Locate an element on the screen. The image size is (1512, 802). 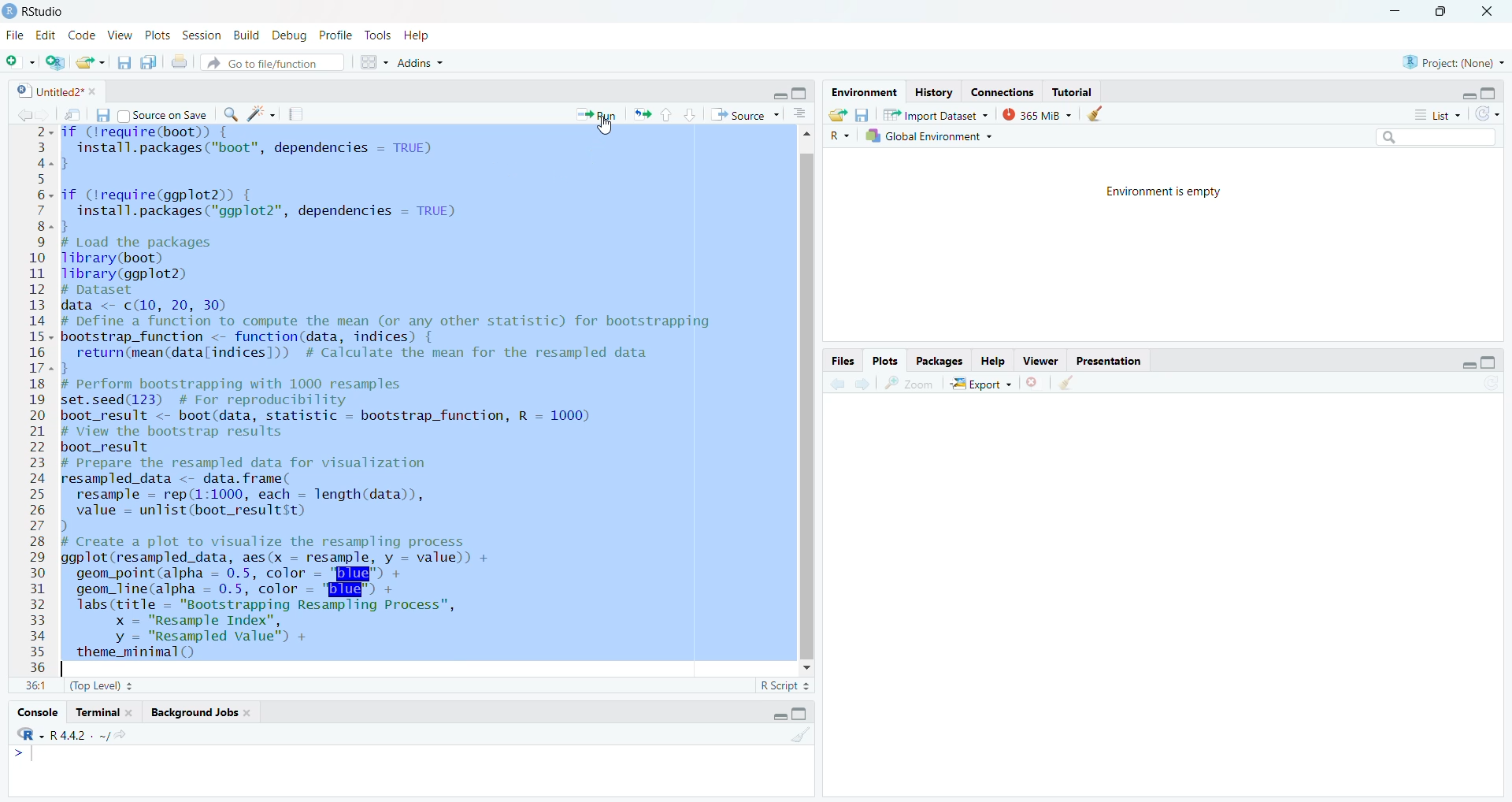
Debug is located at coordinates (287, 35).